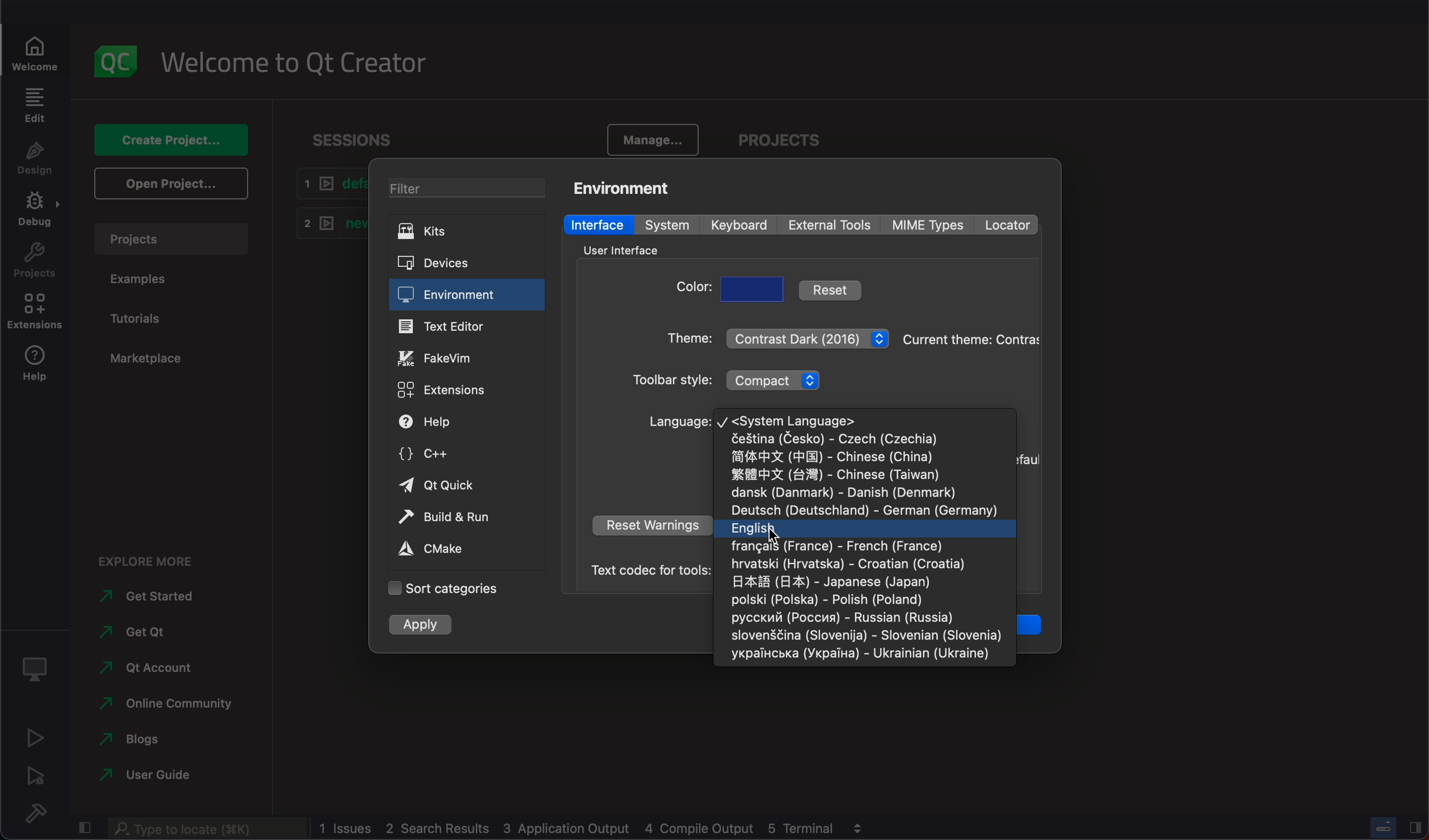 This screenshot has width=1429, height=840. Describe the element at coordinates (777, 141) in the screenshot. I see `project` at that location.